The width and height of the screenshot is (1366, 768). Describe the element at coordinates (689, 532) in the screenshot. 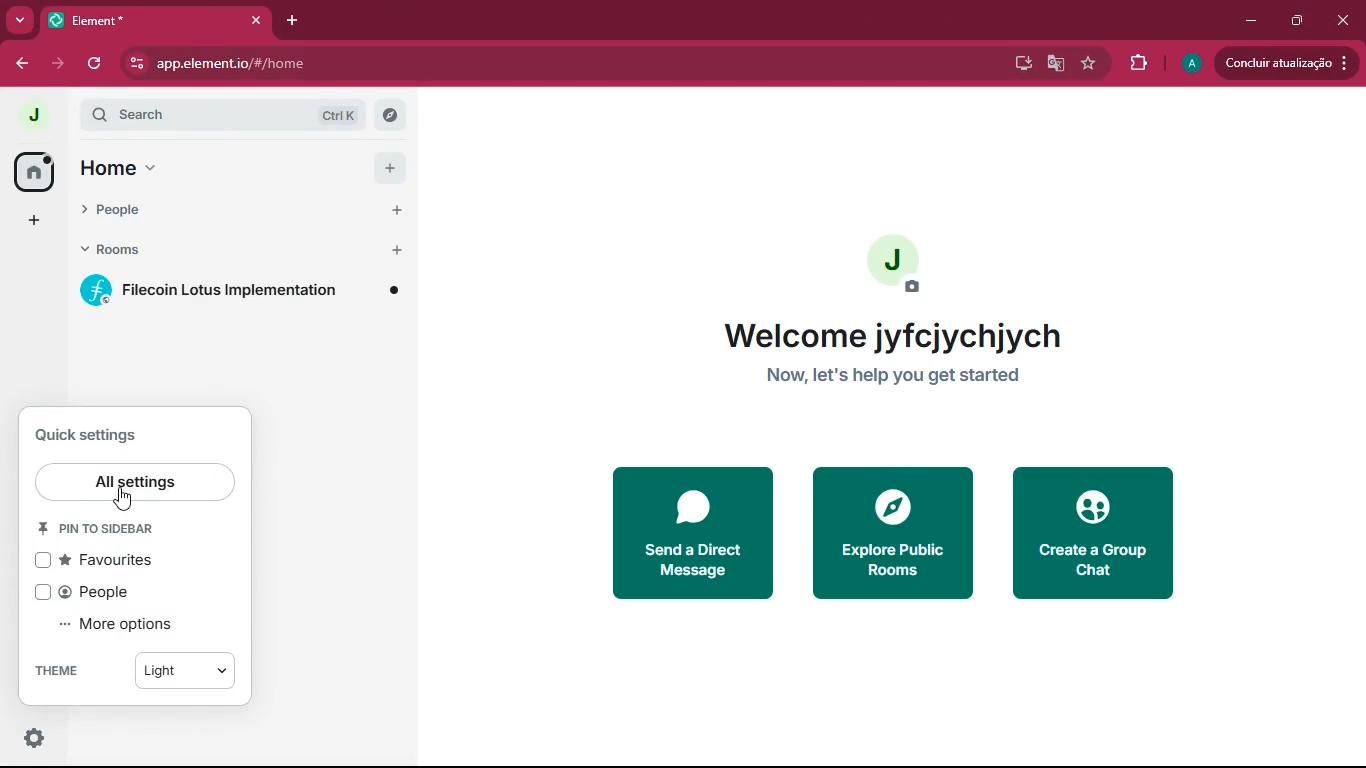

I see `send a direct message` at that location.